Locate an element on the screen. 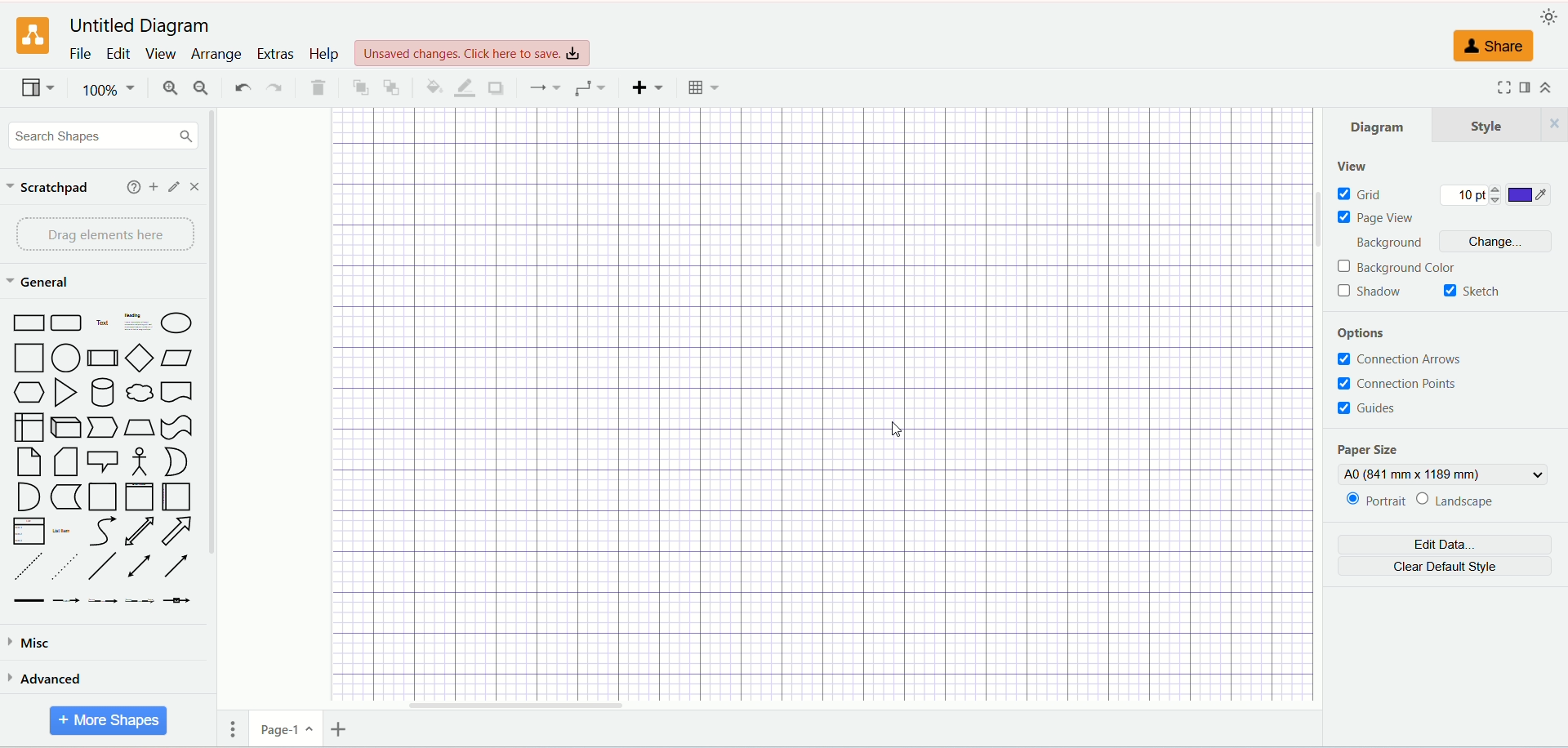 The image size is (1568, 748). Stick Figure is located at coordinates (139, 462).